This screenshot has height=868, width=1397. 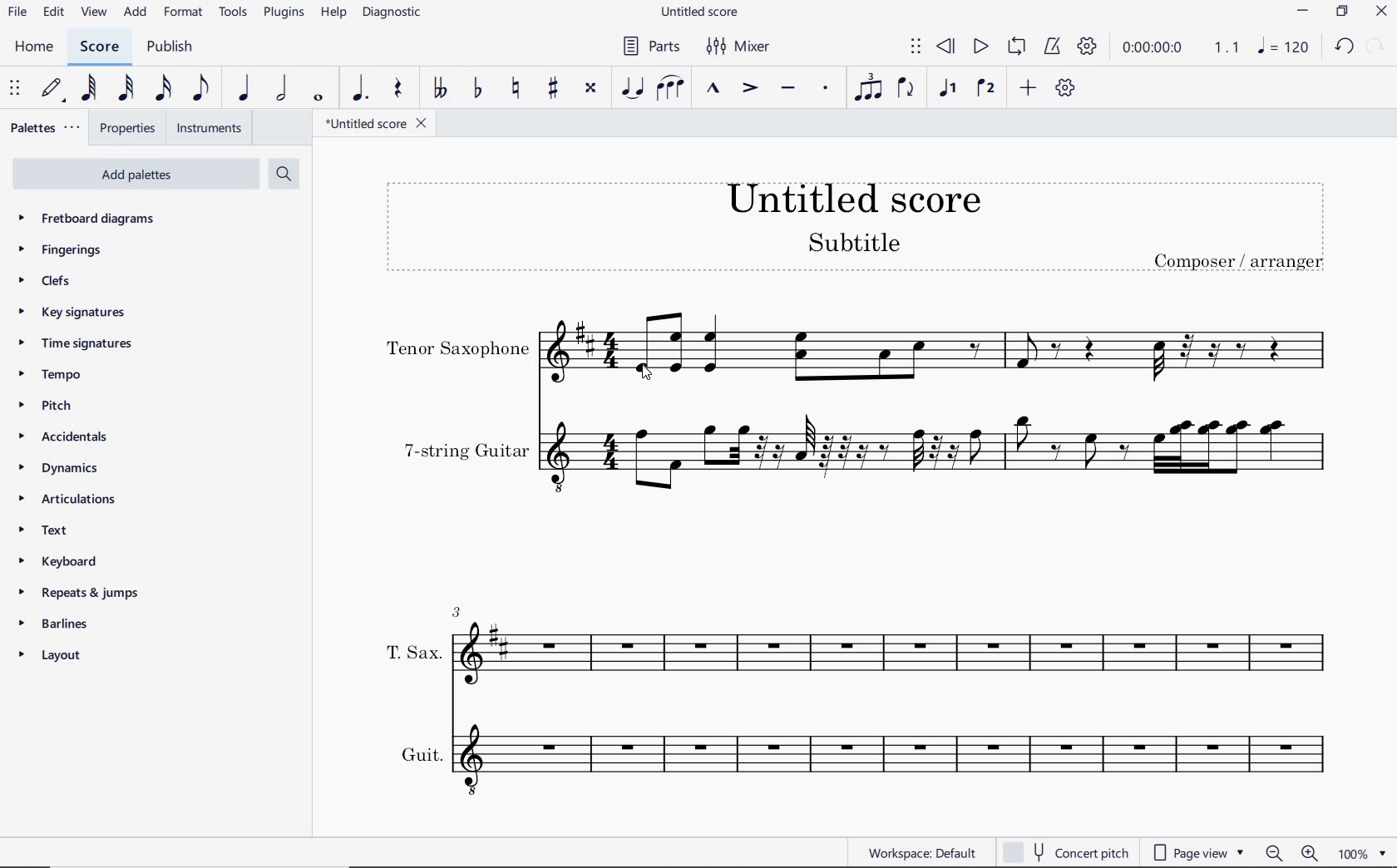 I want to click on BARLINES, so click(x=55, y=627).